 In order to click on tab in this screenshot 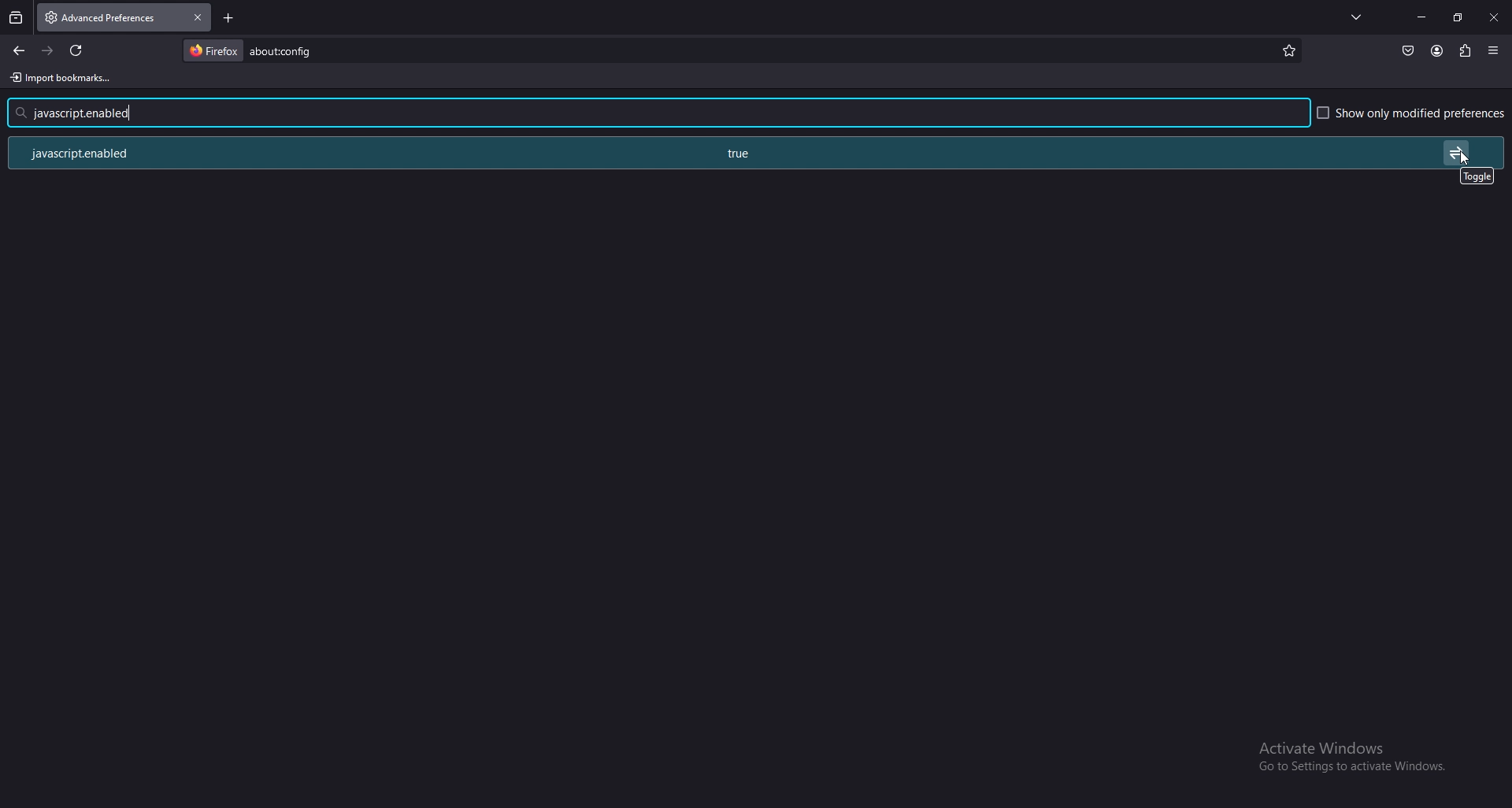, I will do `click(93, 16)`.